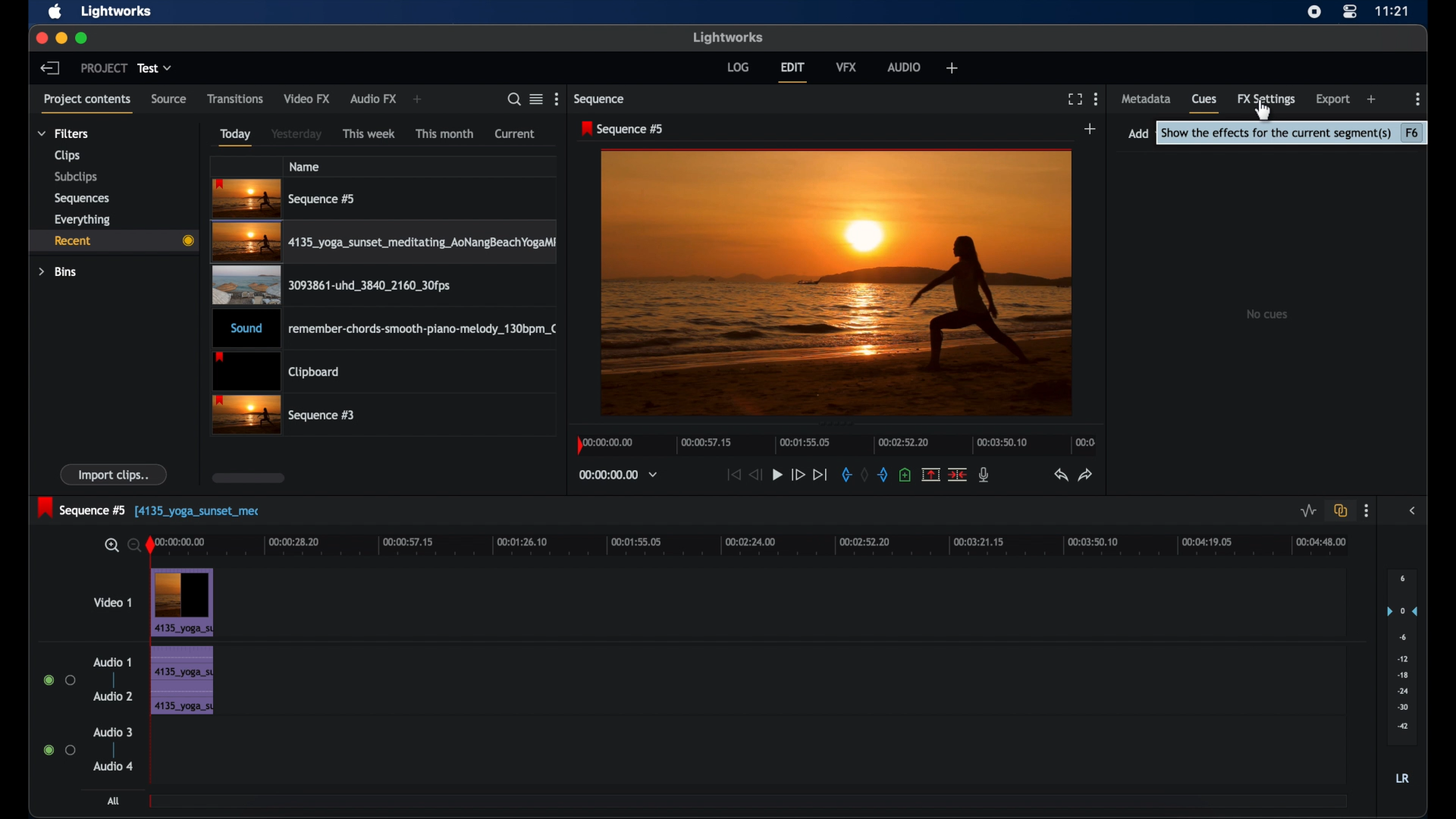  Describe the element at coordinates (387, 330) in the screenshot. I see `audio clip` at that location.